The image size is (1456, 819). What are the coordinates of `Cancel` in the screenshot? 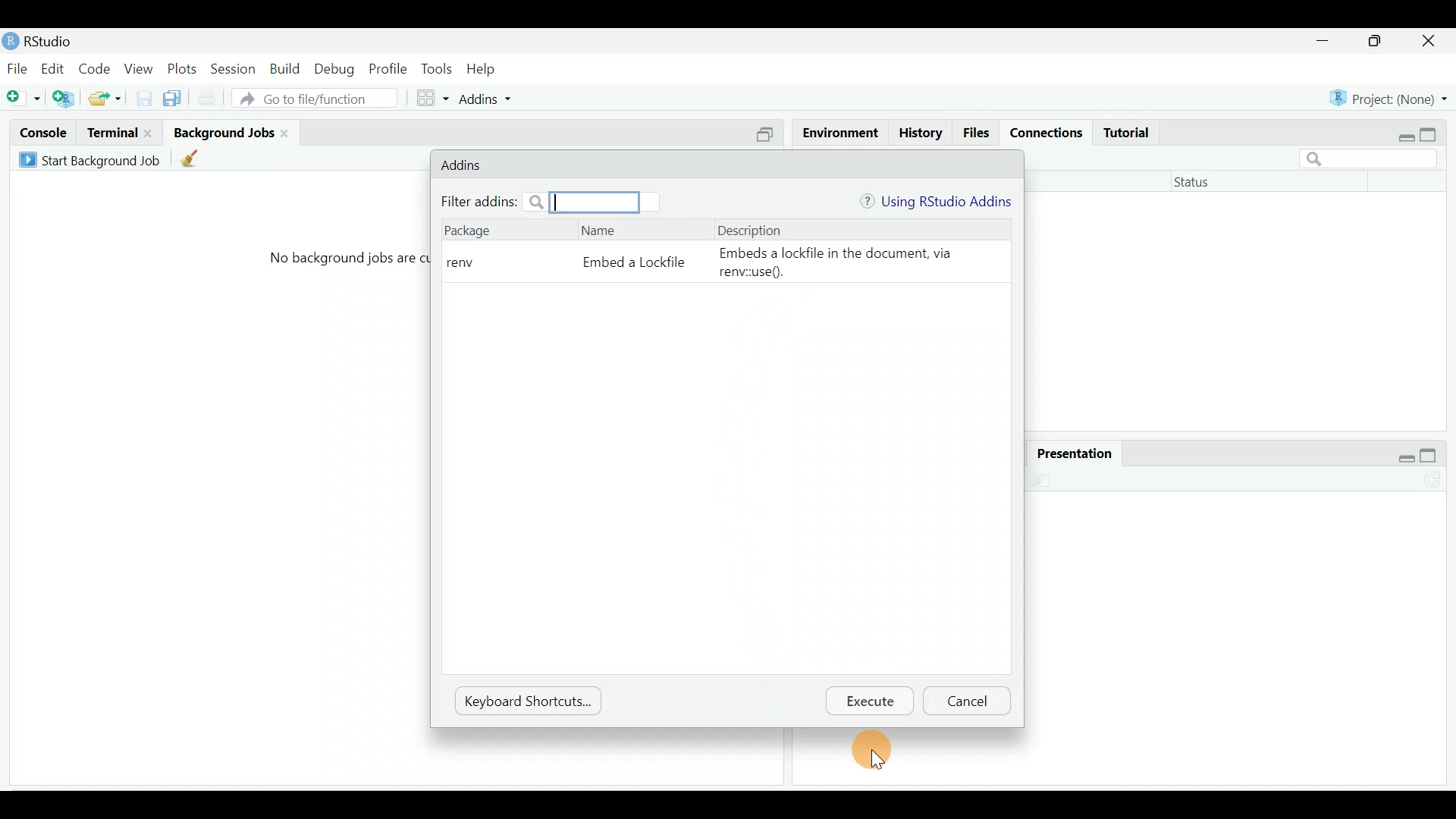 It's located at (968, 701).